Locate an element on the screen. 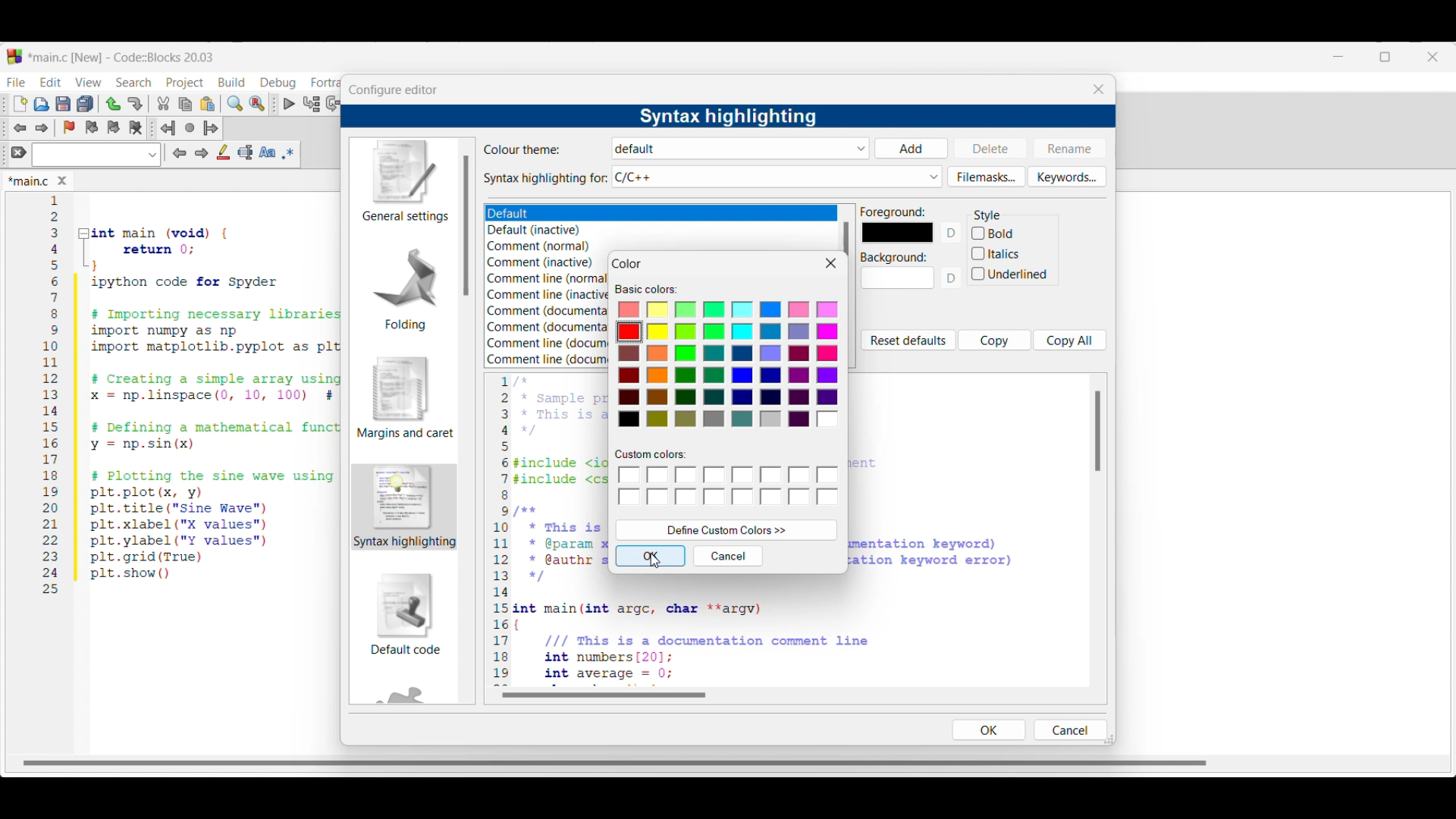 The image size is (1456, 819). Toggle bookmarks is located at coordinates (69, 127).